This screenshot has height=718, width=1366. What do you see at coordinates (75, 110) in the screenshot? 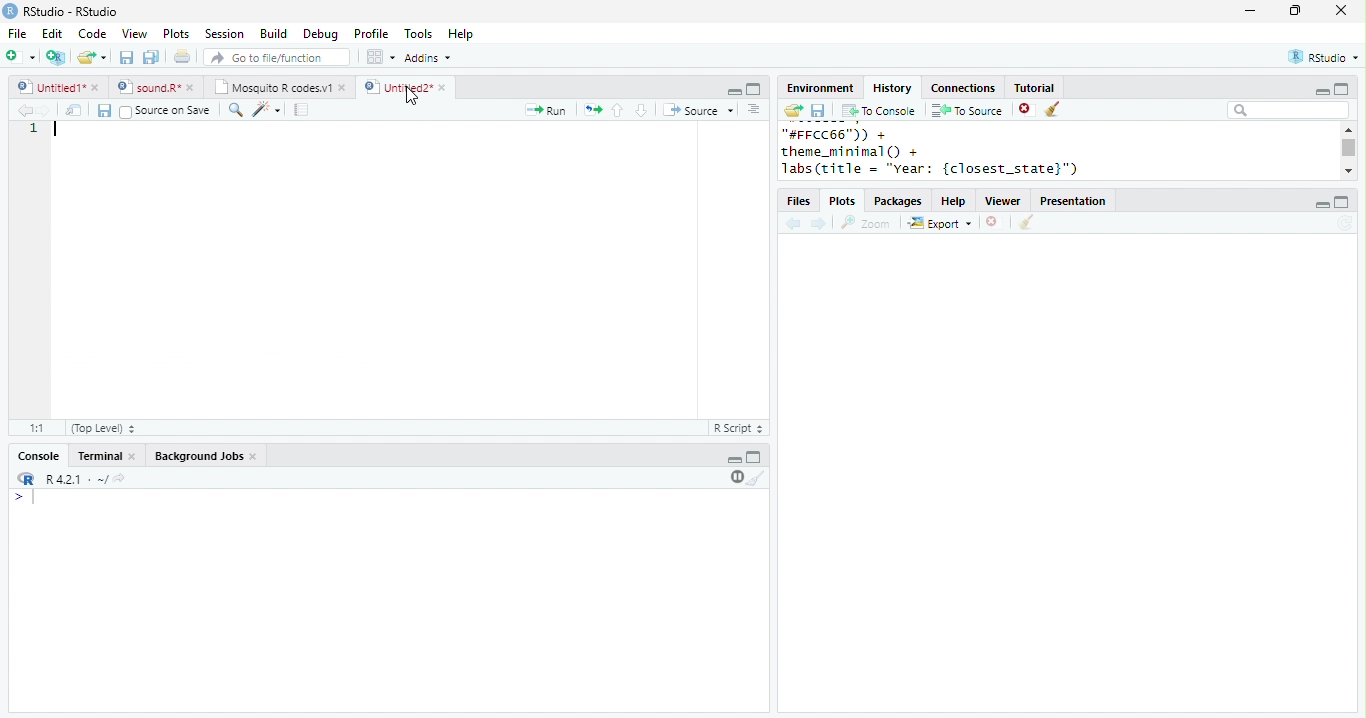
I see `show in new window` at bounding box center [75, 110].